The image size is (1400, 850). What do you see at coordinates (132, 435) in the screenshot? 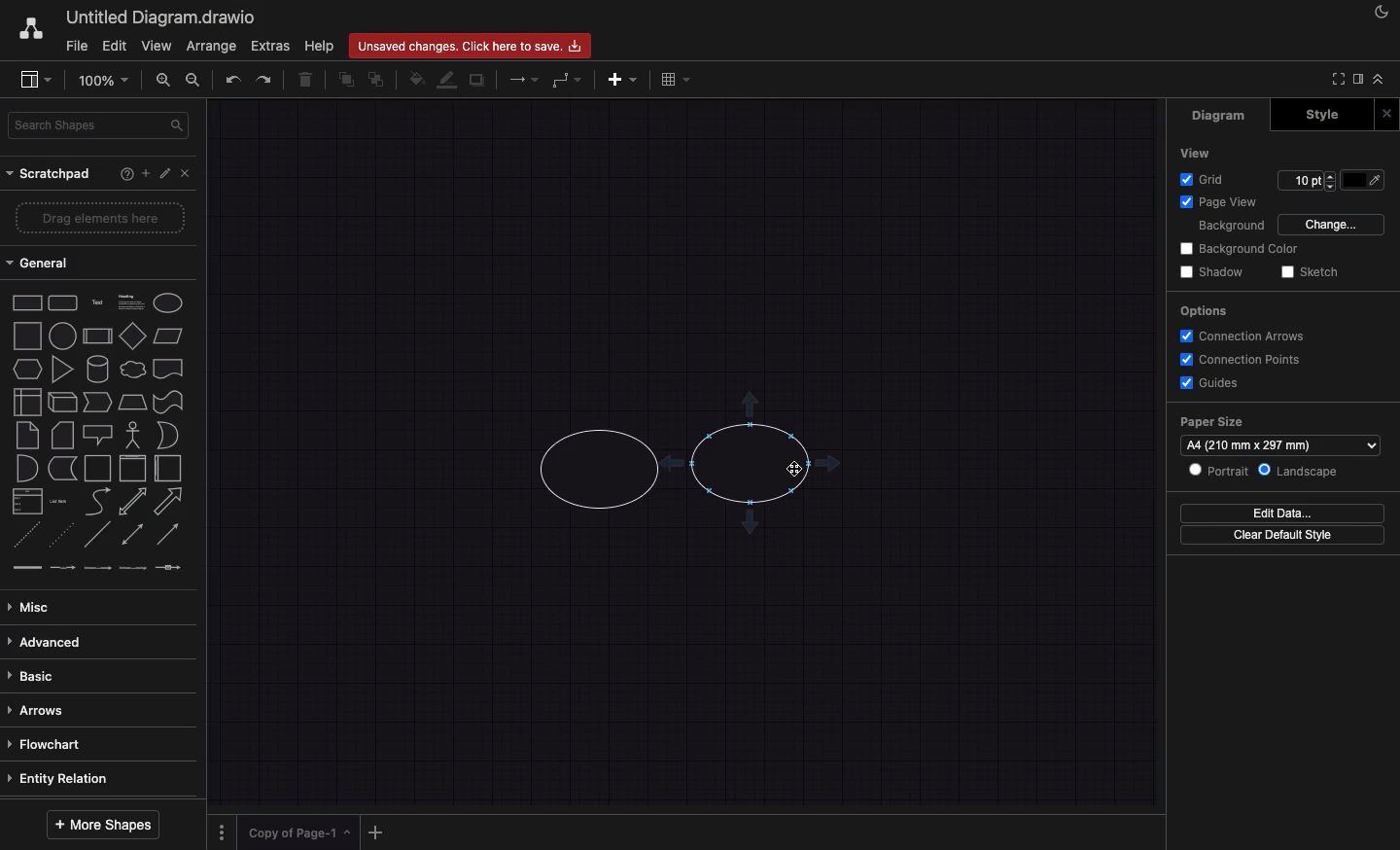
I see `actor` at bounding box center [132, 435].